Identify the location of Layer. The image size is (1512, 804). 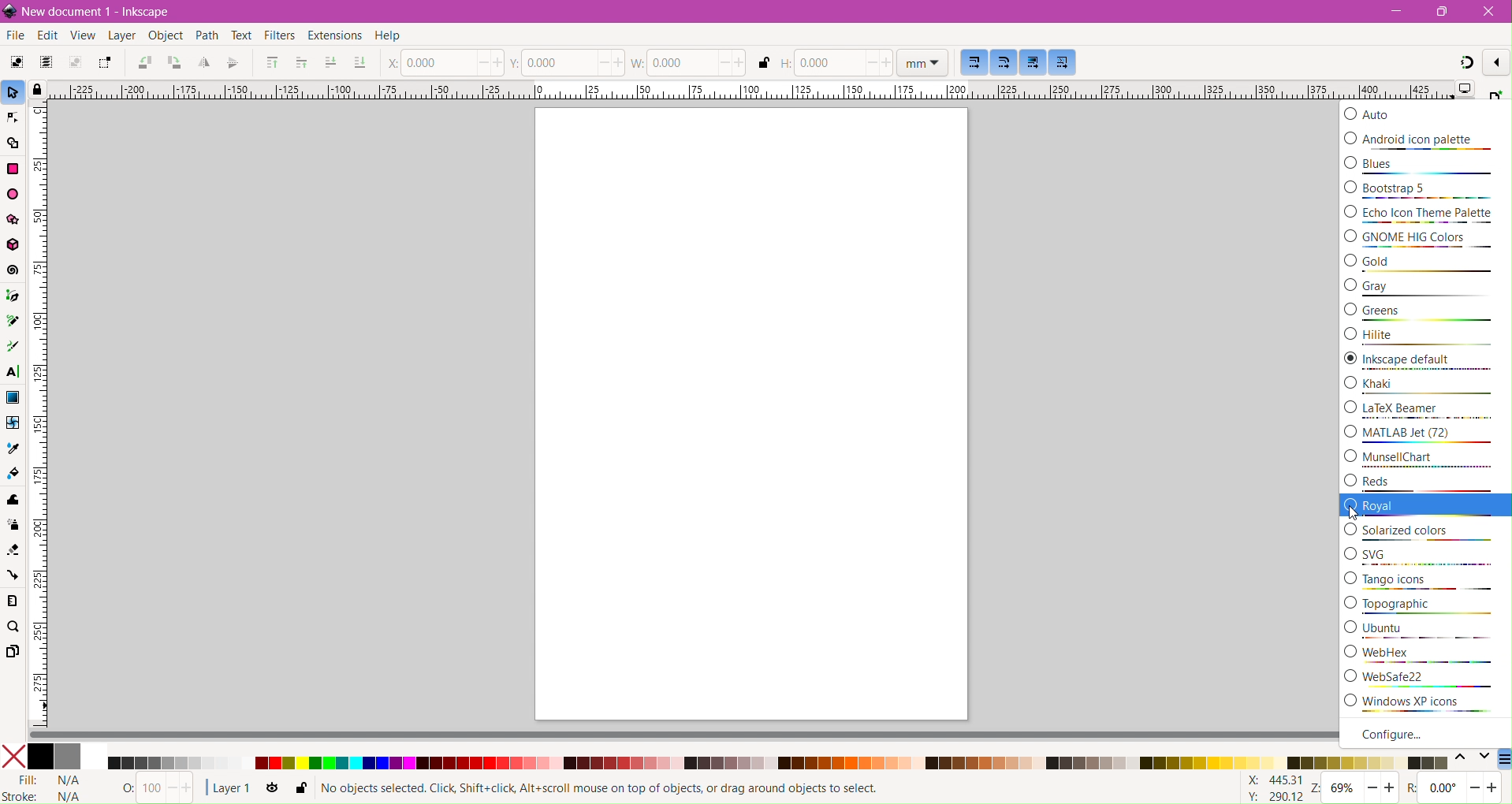
(121, 36).